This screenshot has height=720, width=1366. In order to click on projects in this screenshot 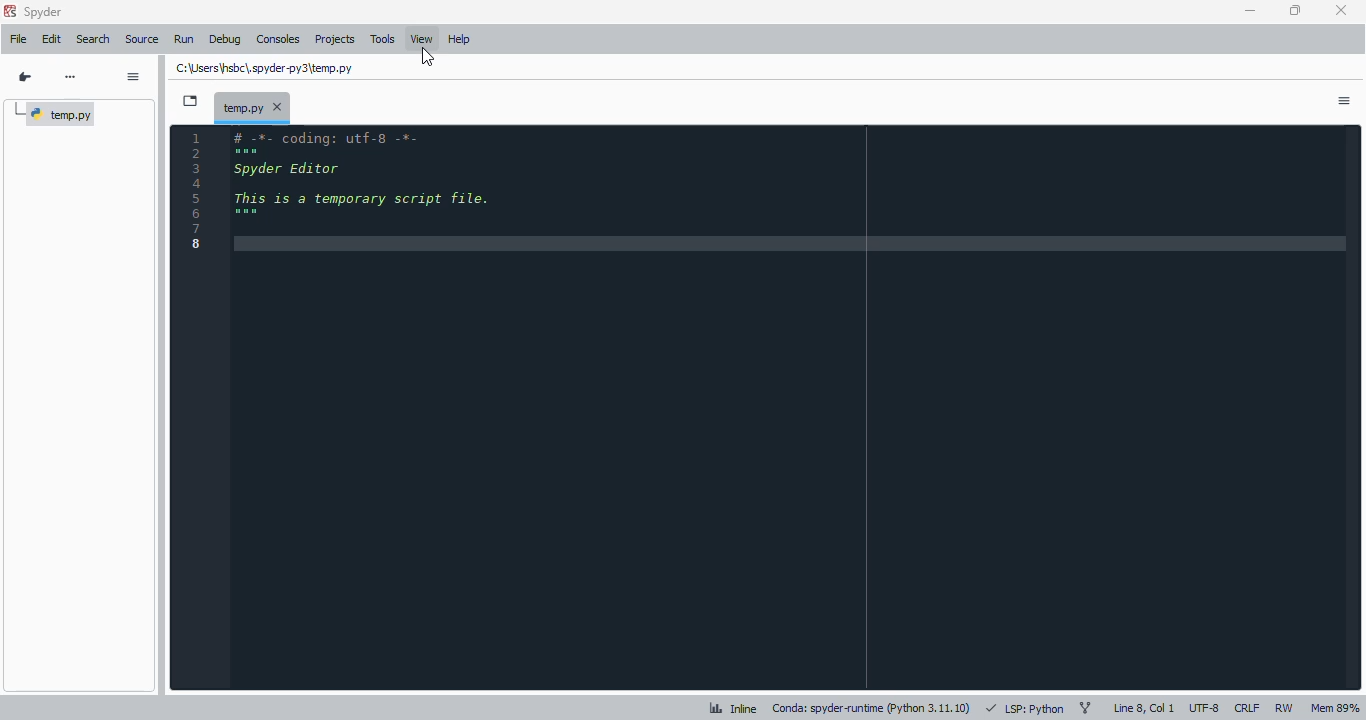, I will do `click(335, 39)`.